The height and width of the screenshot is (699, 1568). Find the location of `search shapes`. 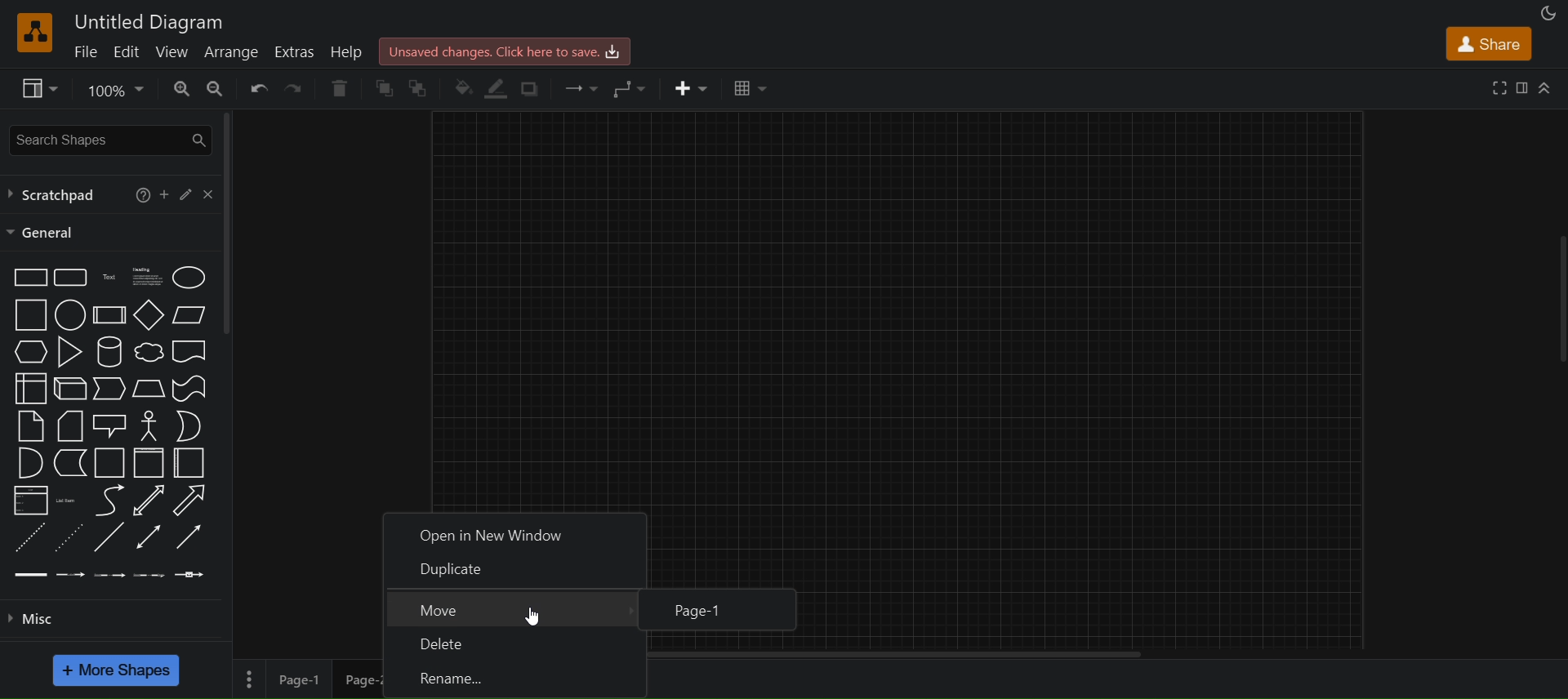

search shapes is located at coordinates (108, 137).